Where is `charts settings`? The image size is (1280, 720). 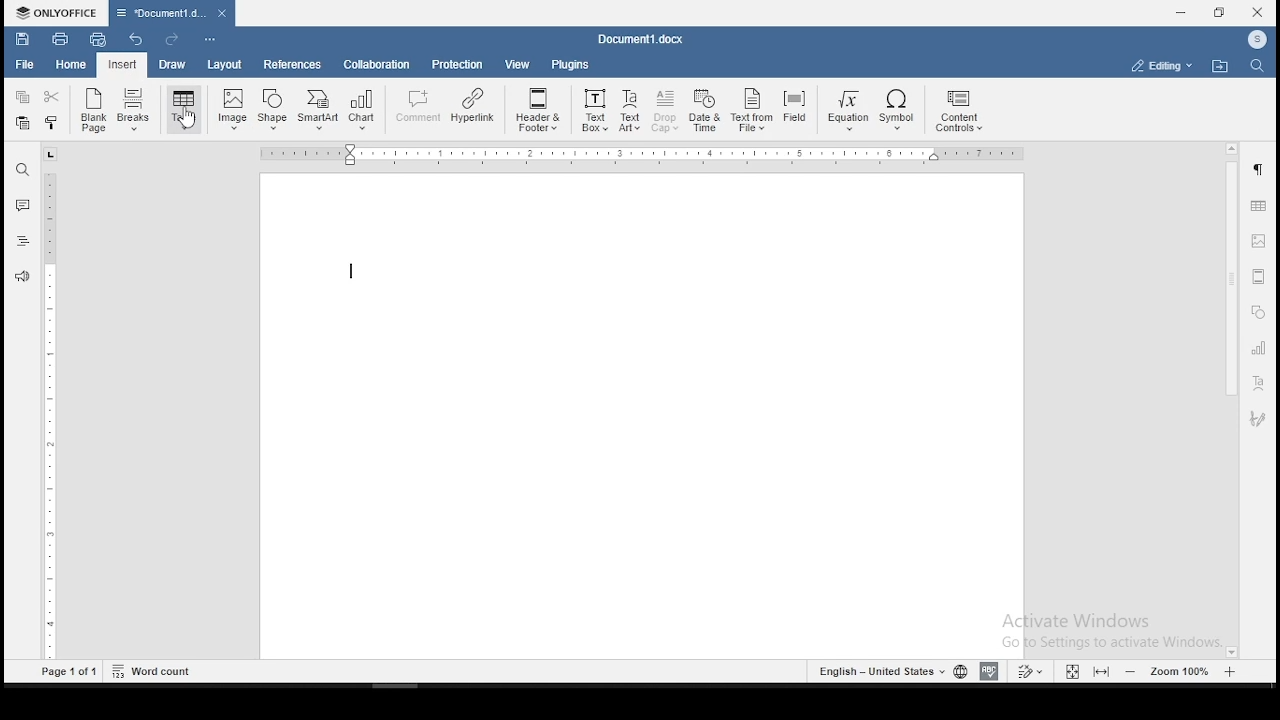
charts settings is located at coordinates (1260, 348).